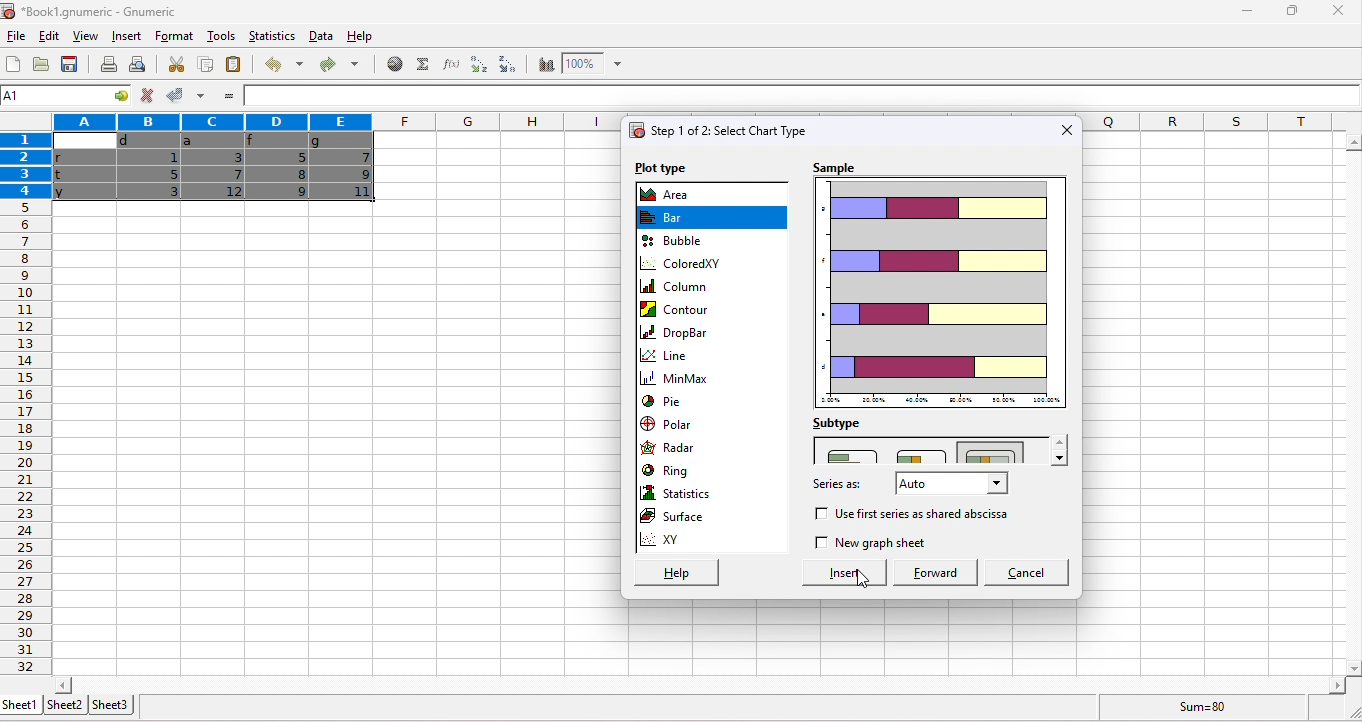  What do you see at coordinates (23, 168) in the screenshot?
I see `rows` at bounding box center [23, 168].